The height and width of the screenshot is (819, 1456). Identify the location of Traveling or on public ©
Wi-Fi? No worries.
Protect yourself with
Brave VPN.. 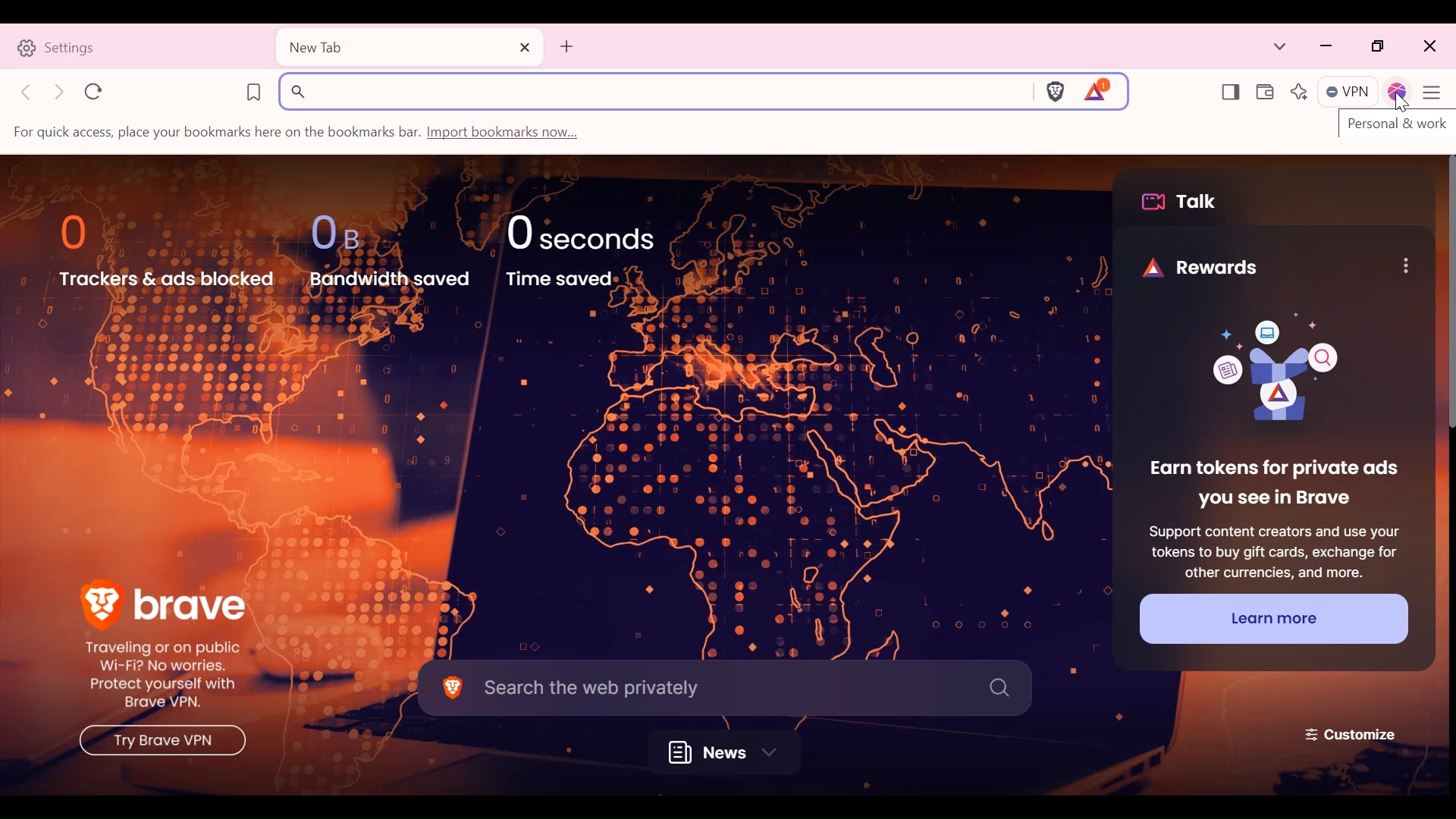
(164, 676).